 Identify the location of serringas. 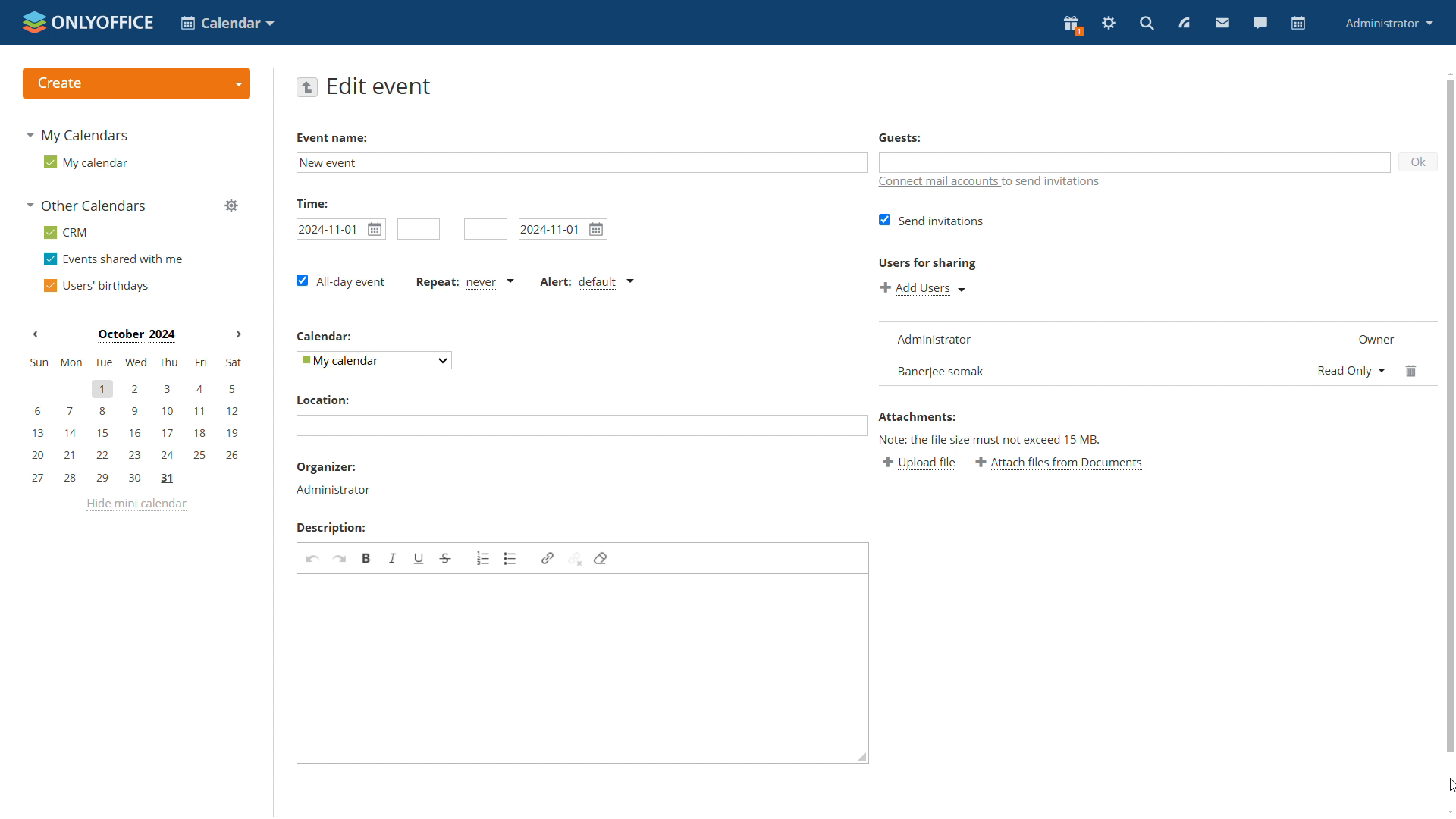
(1109, 24).